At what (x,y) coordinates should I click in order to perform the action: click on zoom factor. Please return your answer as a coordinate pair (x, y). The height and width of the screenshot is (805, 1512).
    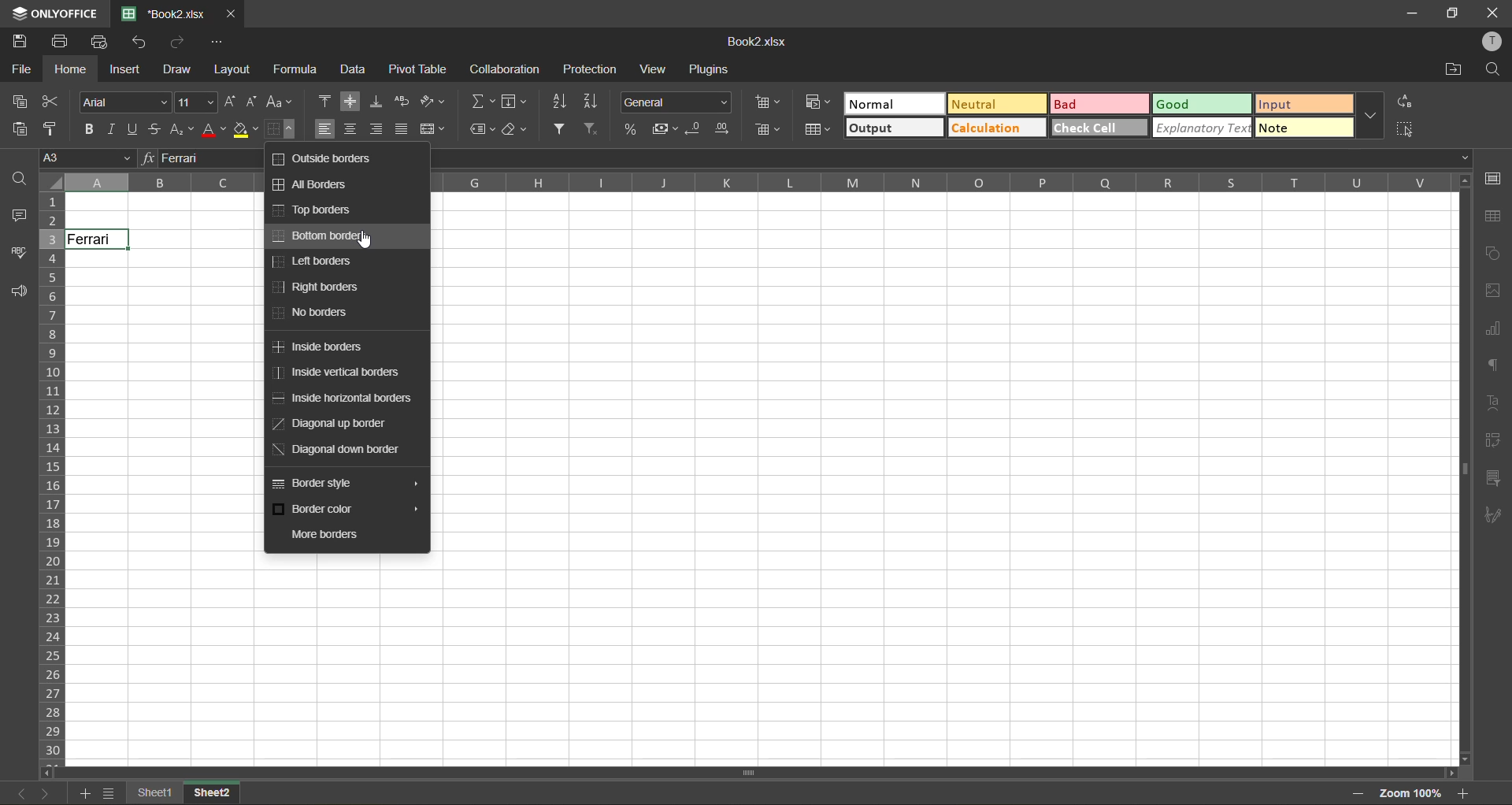
    Looking at the image, I should click on (1414, 793).